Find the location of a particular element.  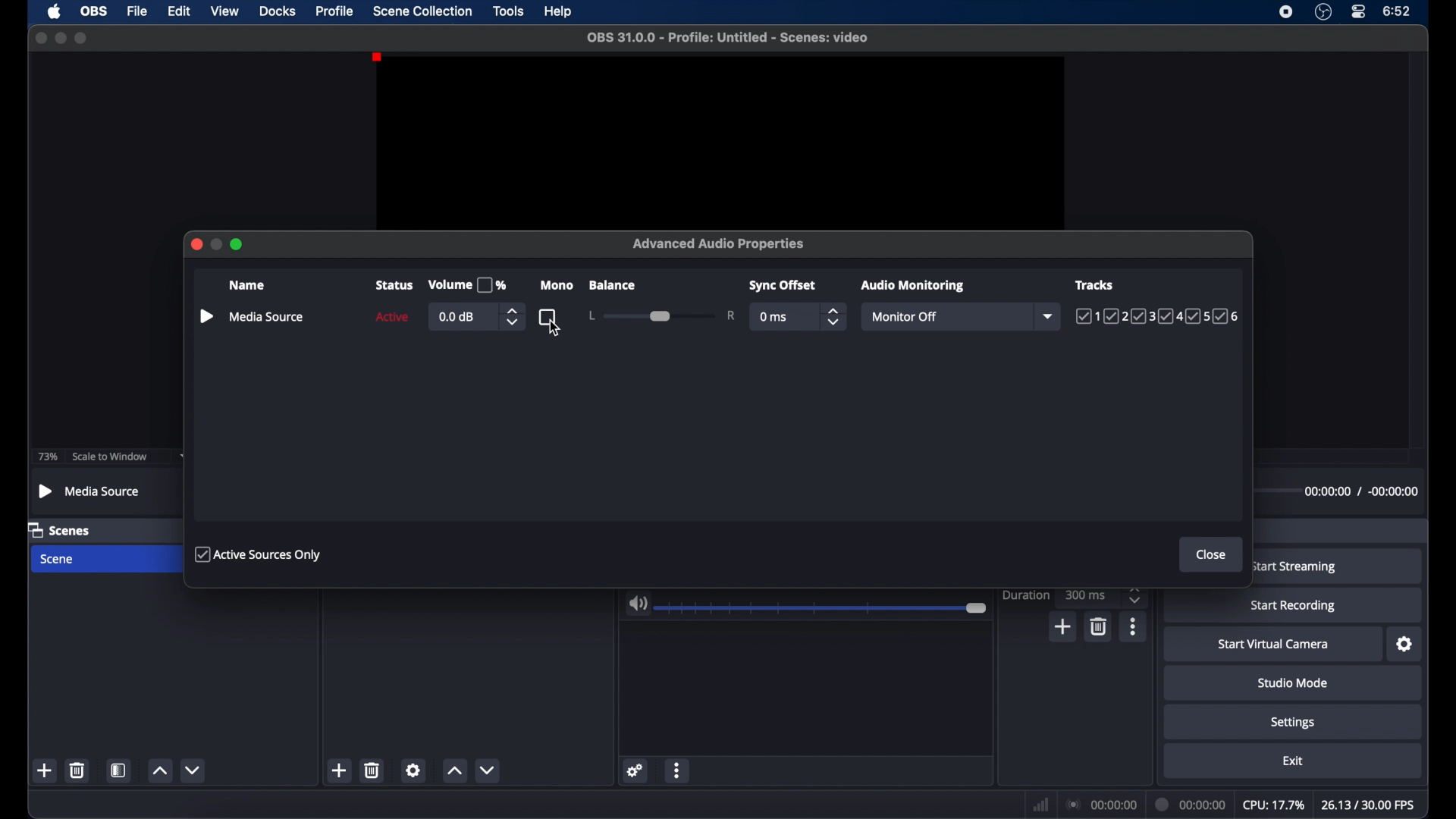

maximize is located at coordinates (81, 38).